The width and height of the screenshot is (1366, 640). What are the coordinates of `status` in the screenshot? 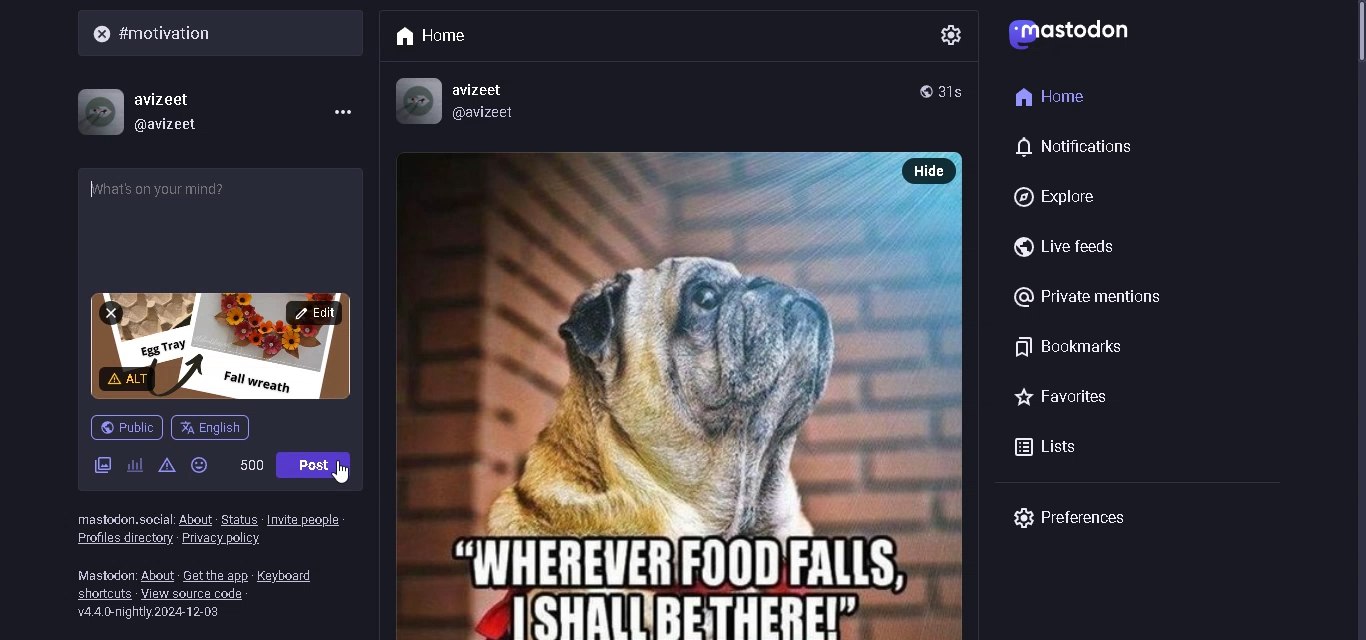 It's located at (239, 518).